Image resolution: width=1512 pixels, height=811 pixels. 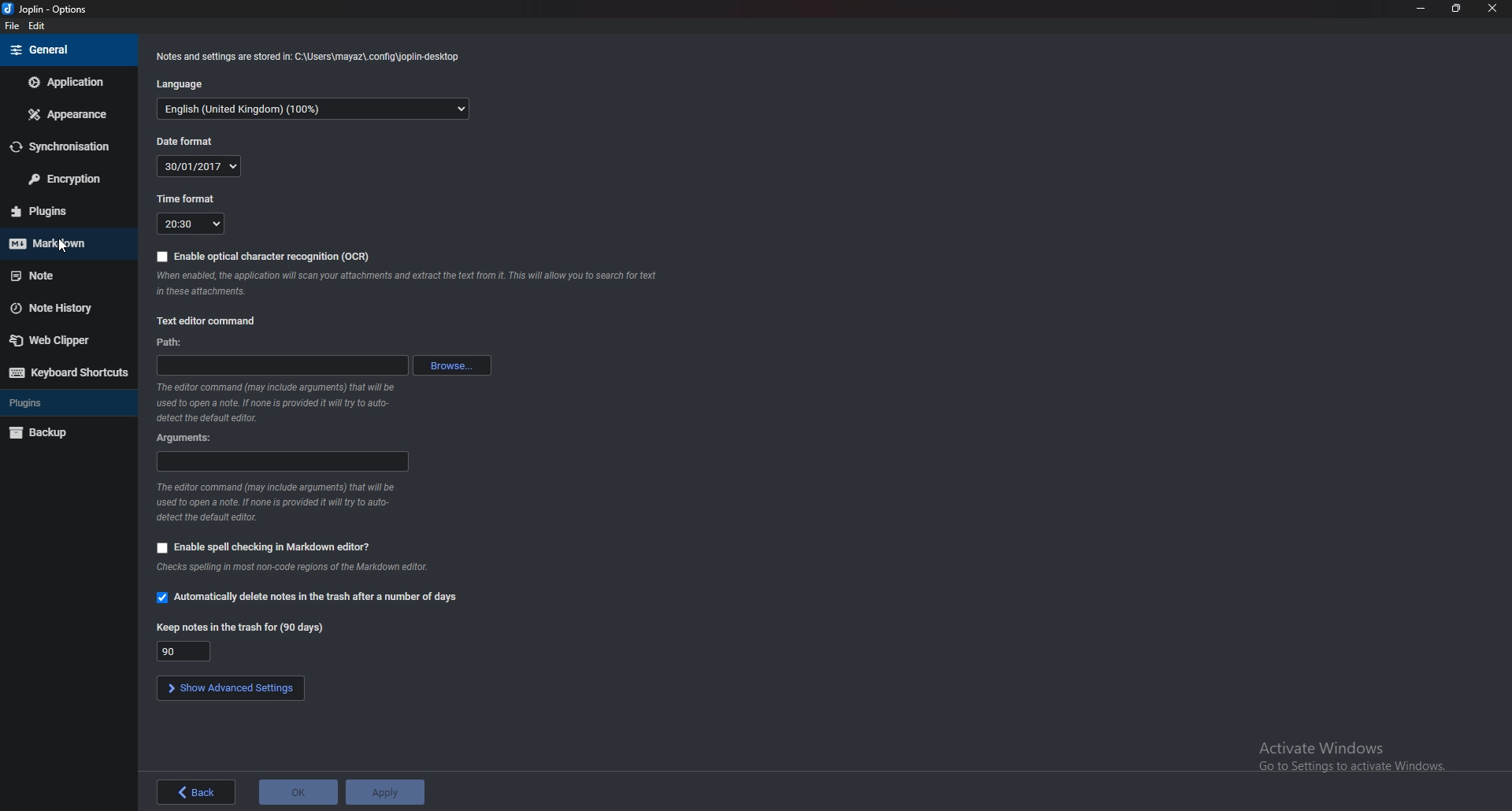 What do you see at coordinates (210, 320) in the screenshot?
I see `text editor command` at bounding box center [210, 320].